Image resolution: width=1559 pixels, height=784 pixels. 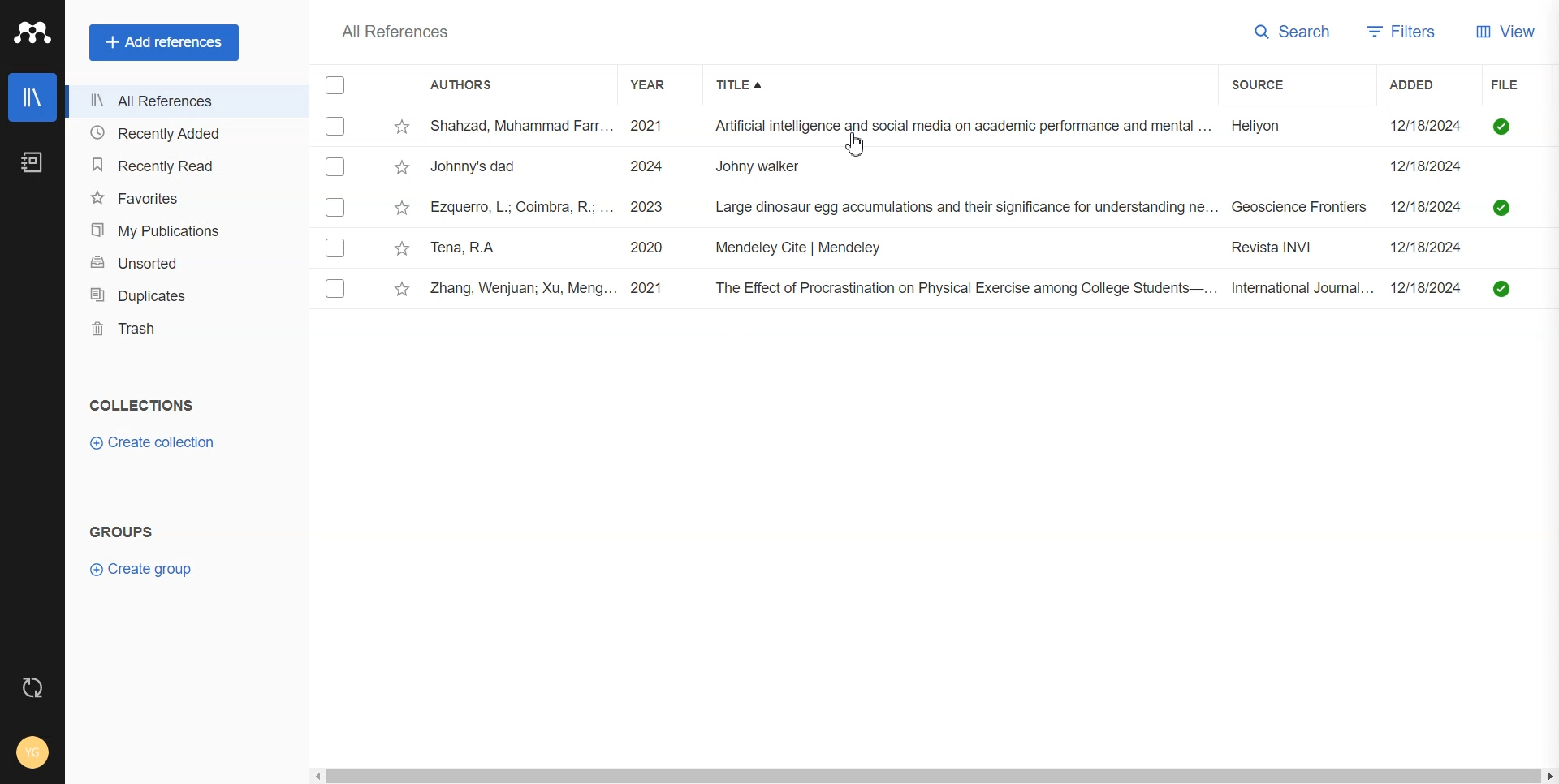 What do you see at coordinates (1509, 32) in the screenshot?
I see `View` at bounding box center [1509, 32].